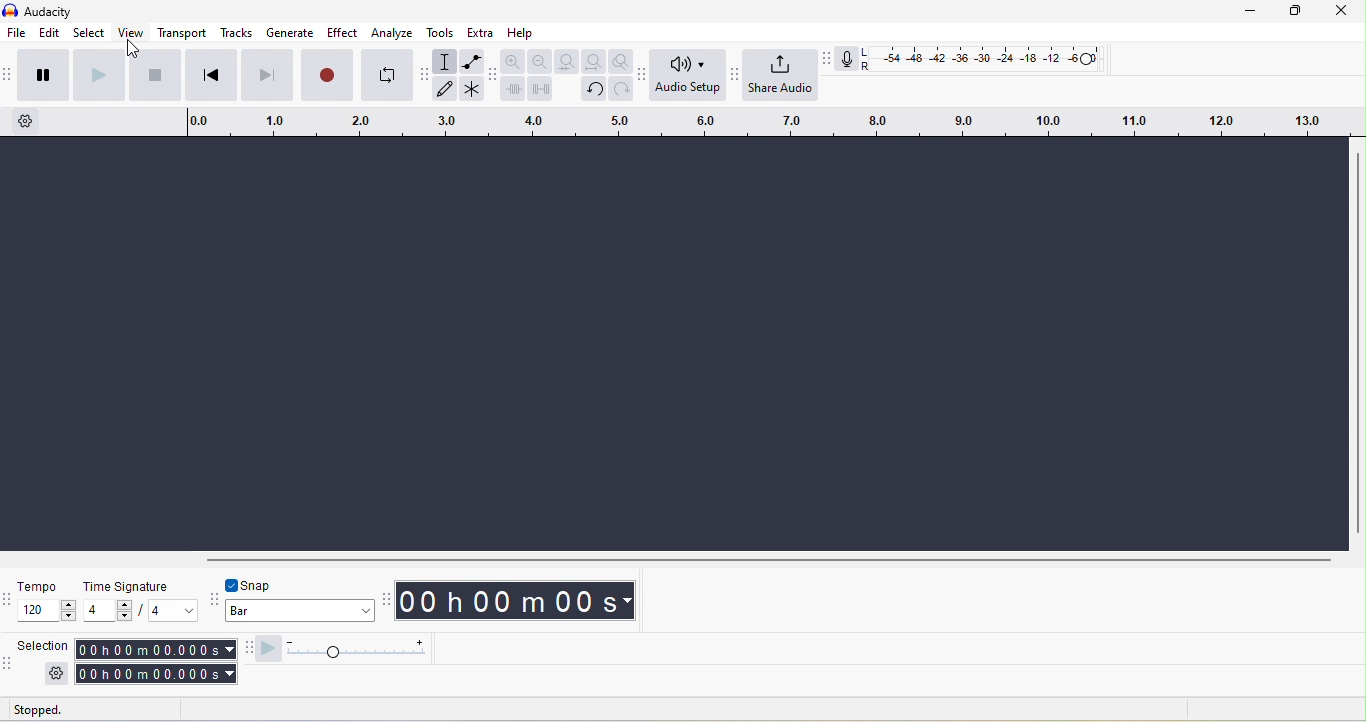 The height and width of the screenshot is (722, 1366). I want to click on silence audio selection, so click(540, 89).